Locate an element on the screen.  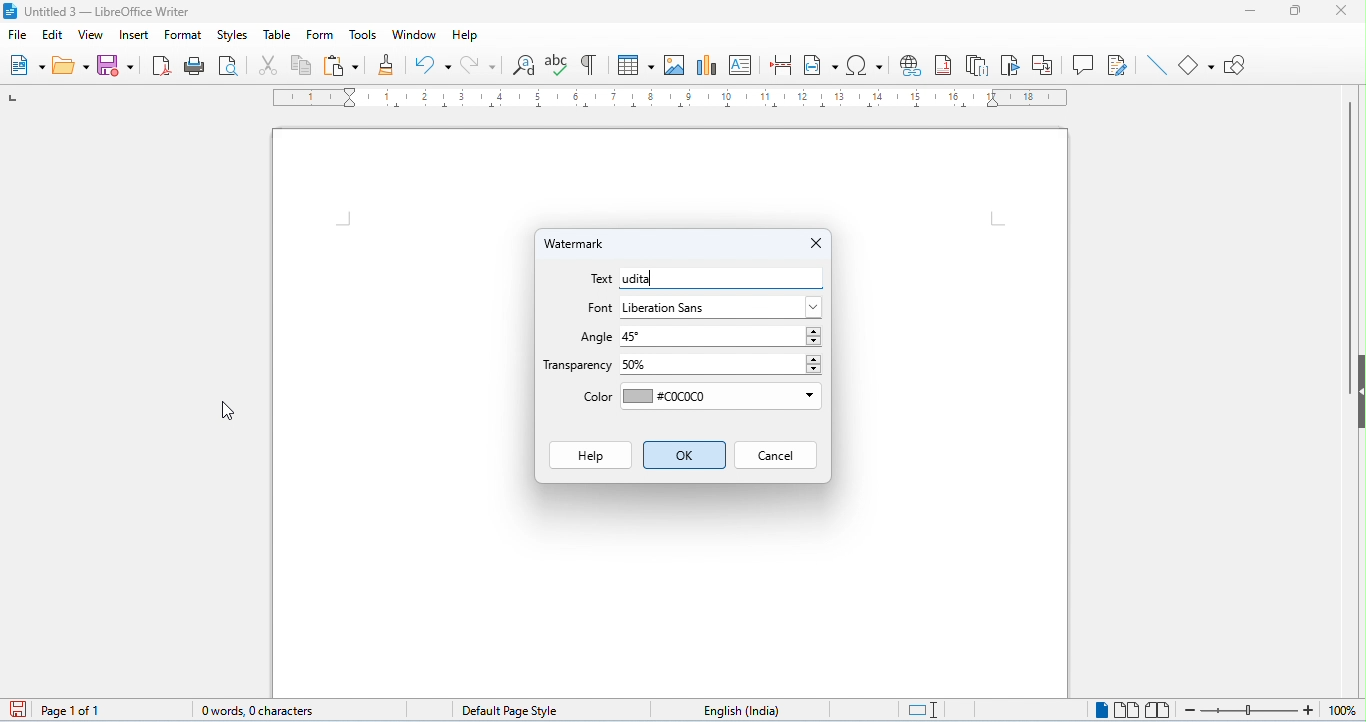
multi page view is located at coordinates (1130, 710).